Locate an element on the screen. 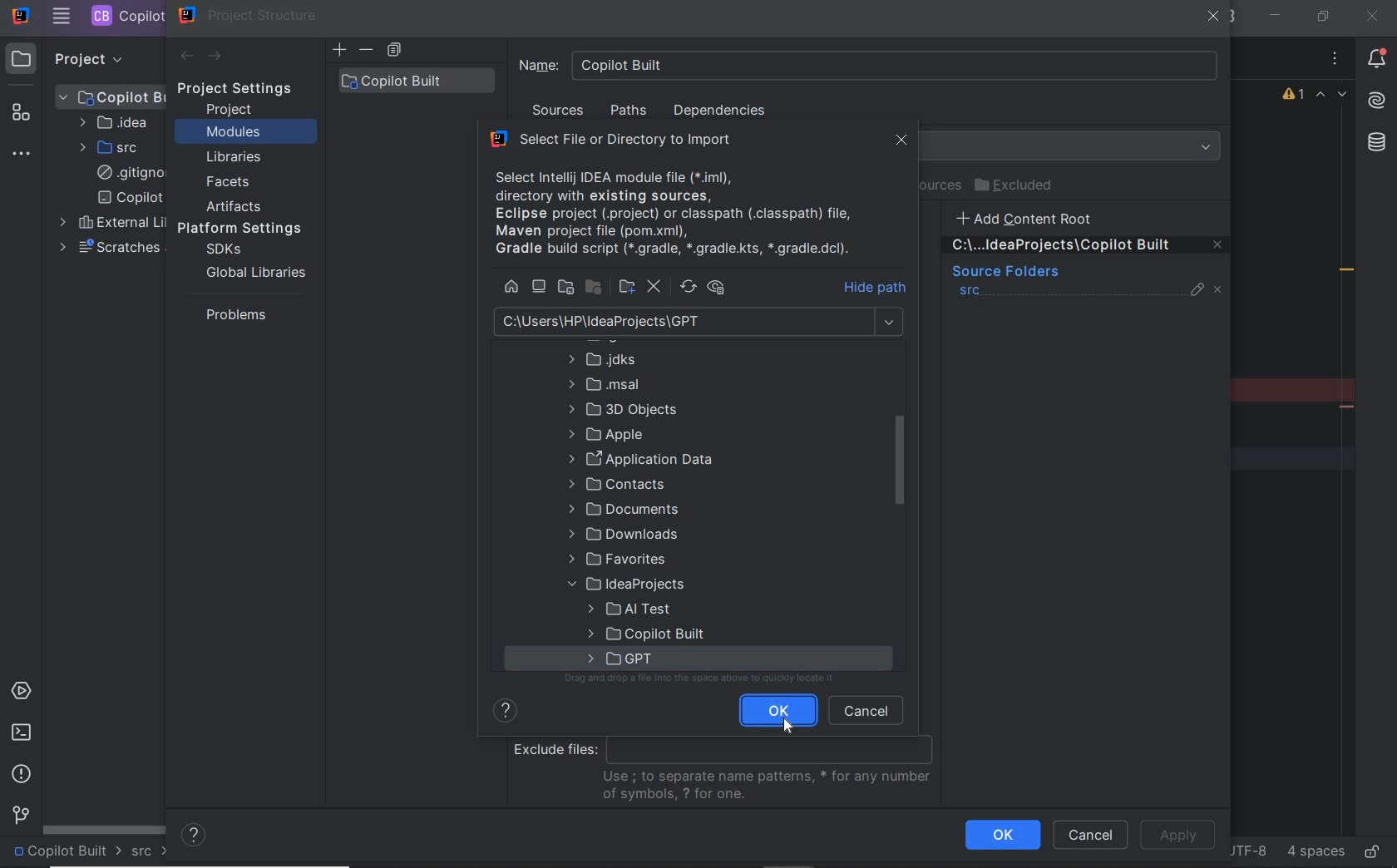 This screenshot has width=1397, height=868. hide is located at coordinates (877, 287).